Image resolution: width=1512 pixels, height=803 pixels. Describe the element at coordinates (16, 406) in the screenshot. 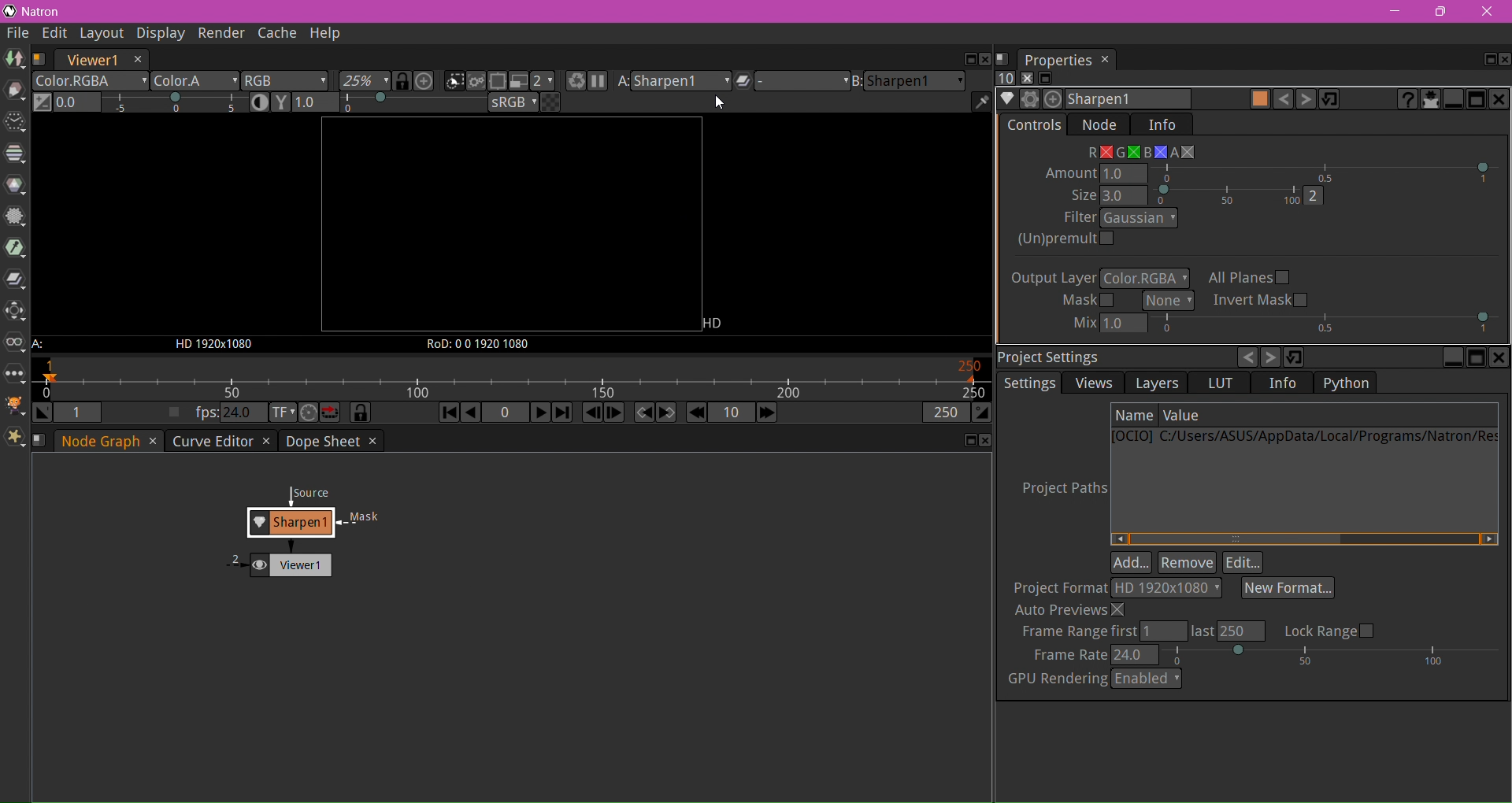

I see `GMIC` at that location.